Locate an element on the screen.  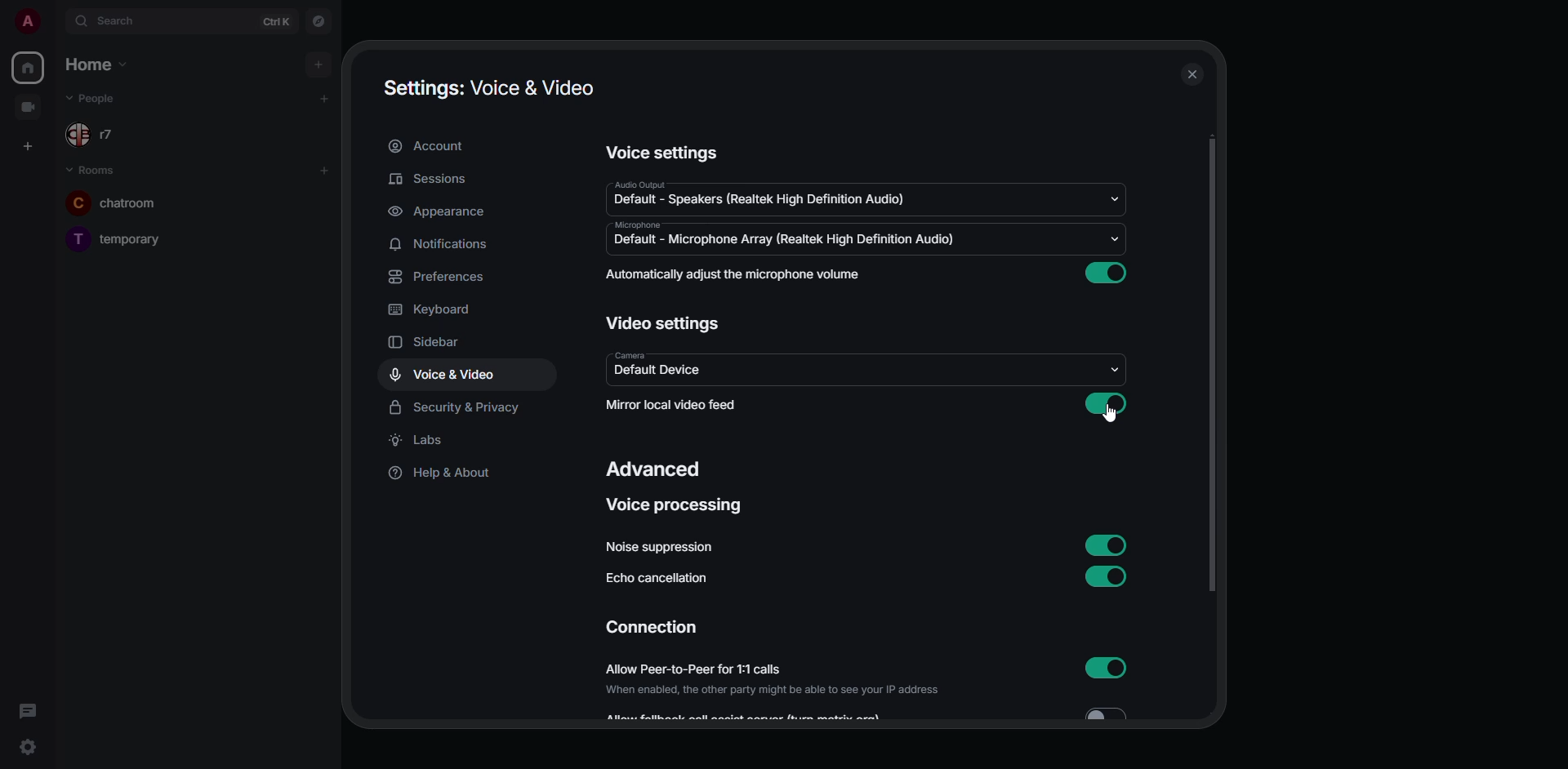
profile is located at coordinates (30, 21).